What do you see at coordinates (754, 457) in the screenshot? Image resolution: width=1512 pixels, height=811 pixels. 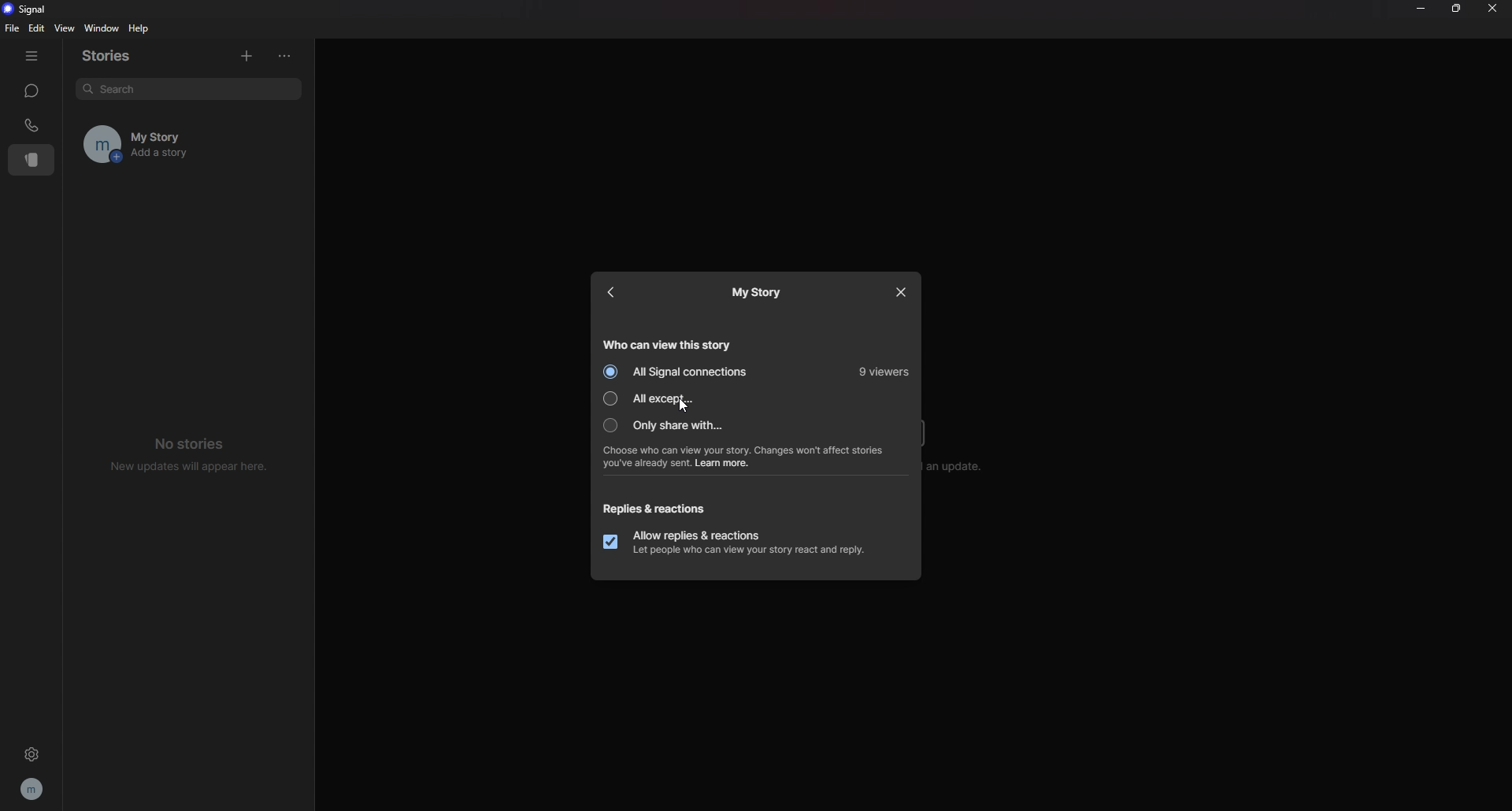 I see `Choose who can view your story. Changes won't affect stories you've already sent. Leam more.` at bounding box center [754, 457].